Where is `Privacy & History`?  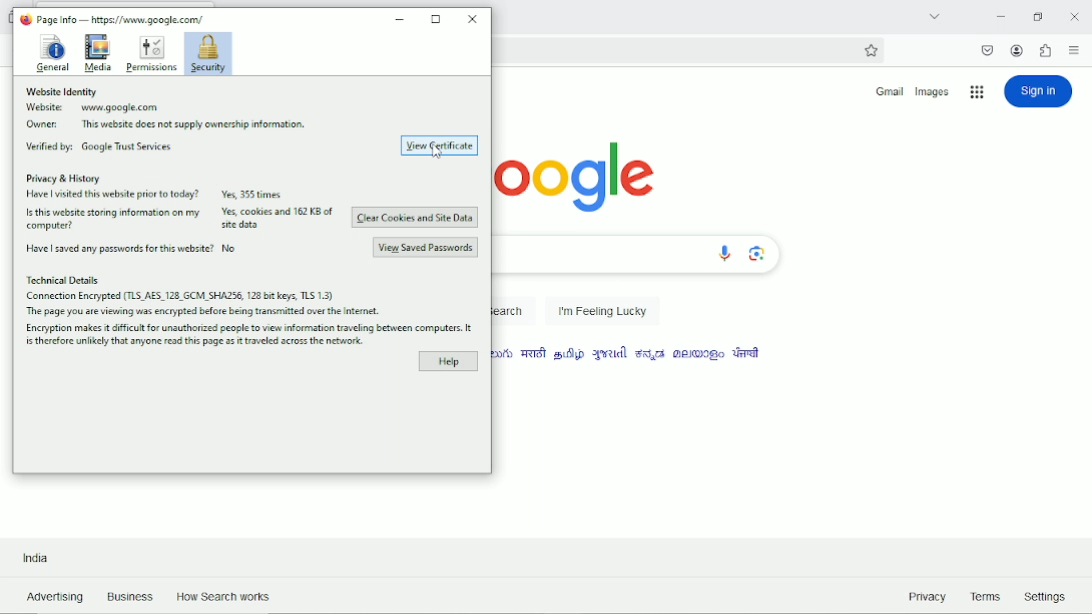 Privacy & History is located at coordinates (64, 178).